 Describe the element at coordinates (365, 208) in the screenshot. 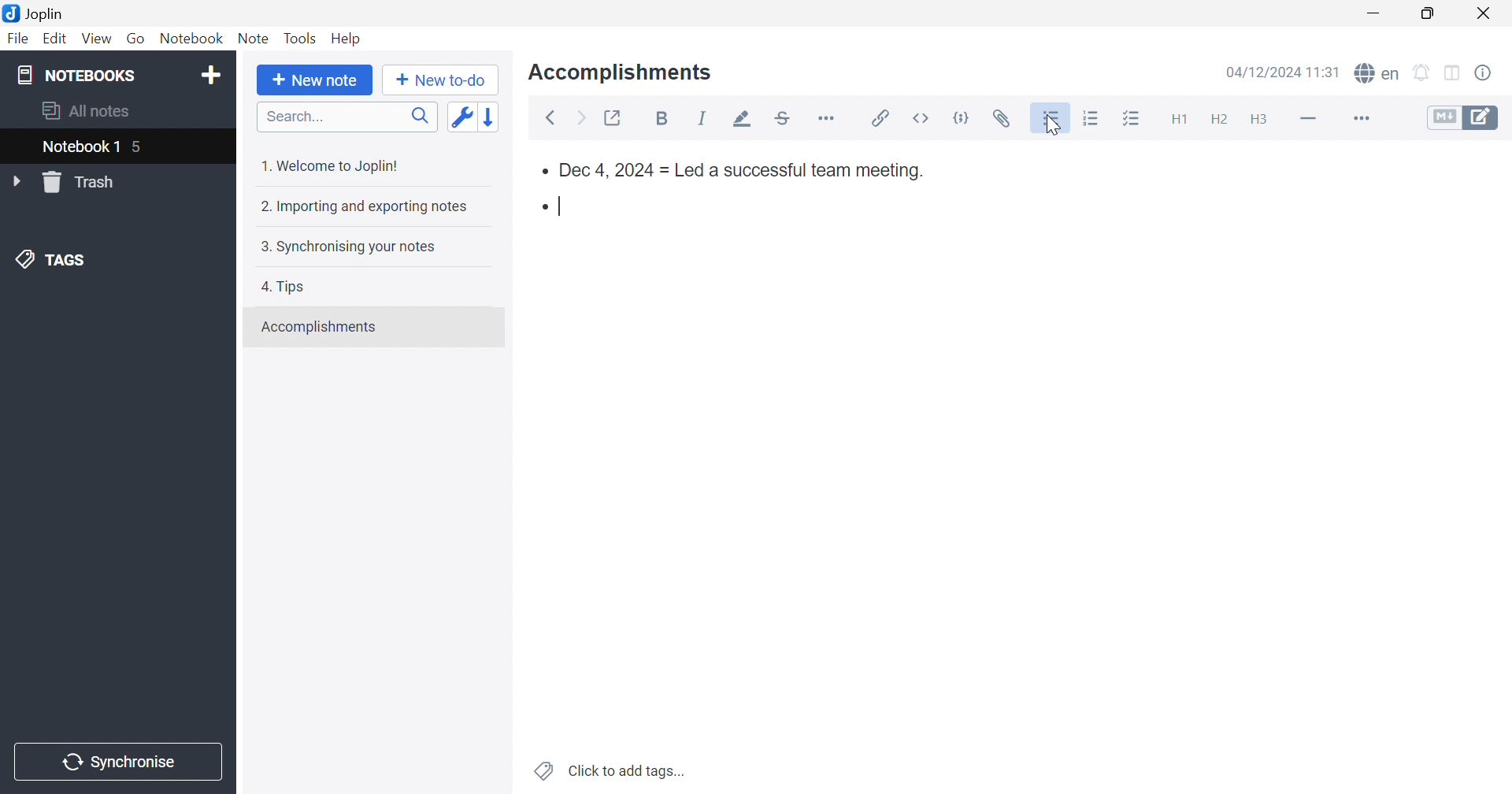

I see `2. Importing and exporting notes` at that location.